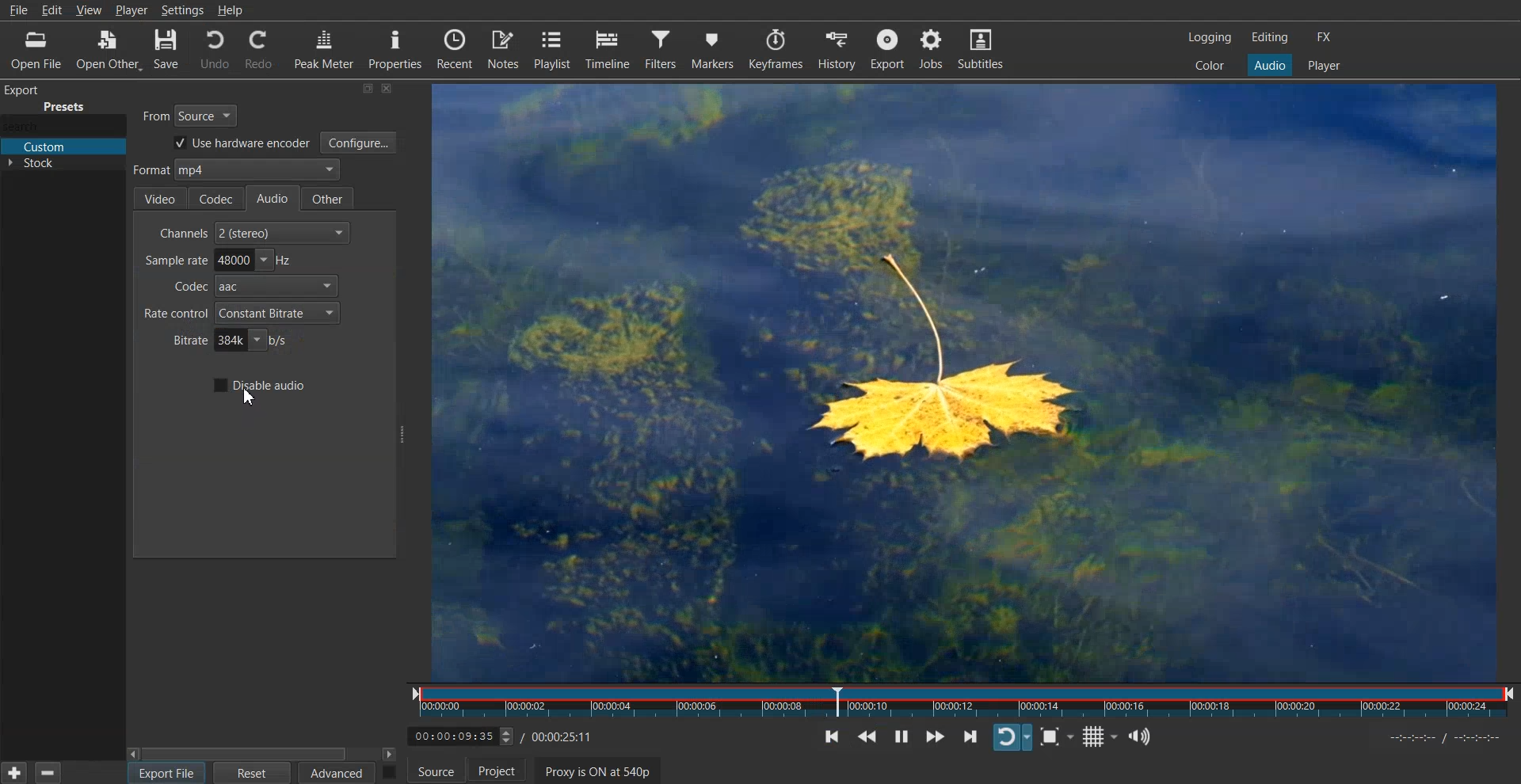 The image size is (1521, 784). What do you see at coordinates (159, 199) in the screenshot?
I see `Video` at bounding box center [159, 199].